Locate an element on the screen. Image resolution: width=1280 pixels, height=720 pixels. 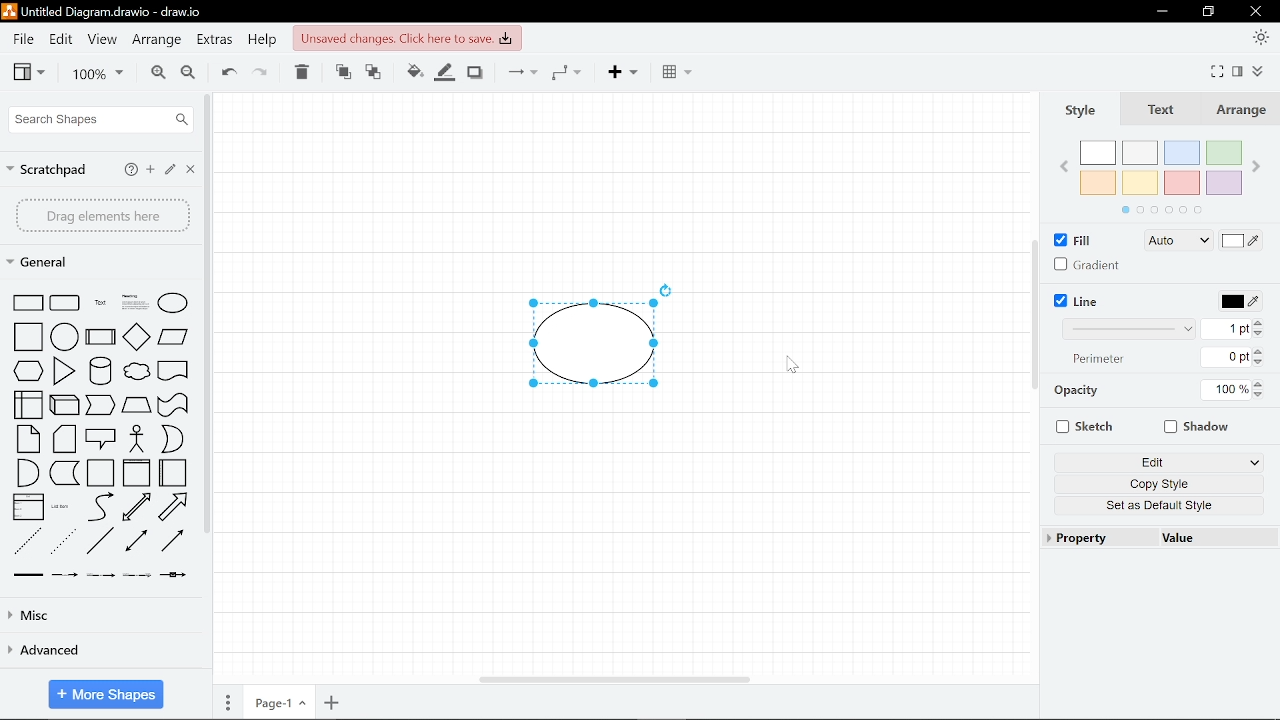
Delete is located at coordinates (301, 74).